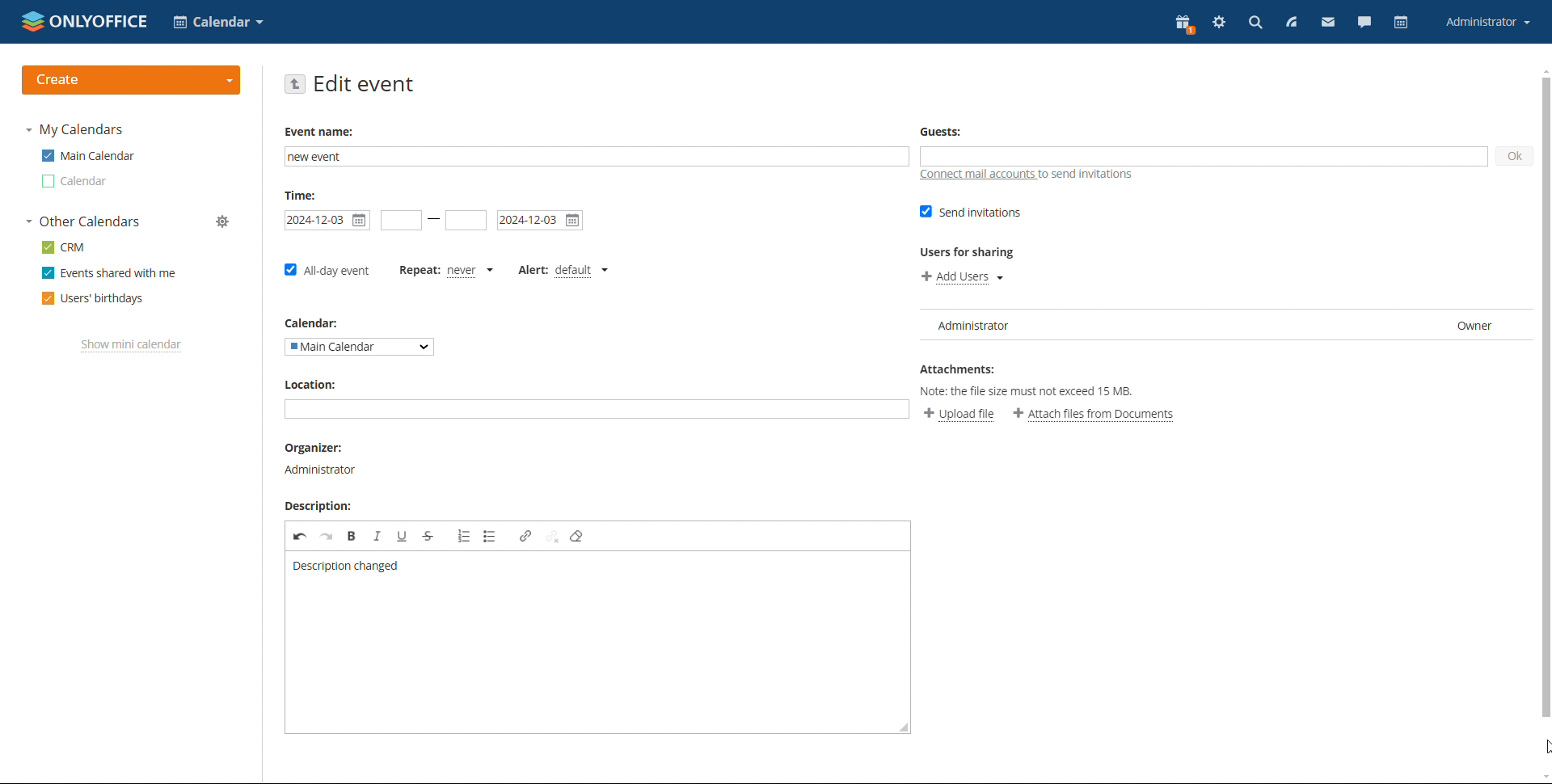  What do you see at coordinates (74, 182) in the screenshot?
I see `other calendar` at bounding box center [74, 182].